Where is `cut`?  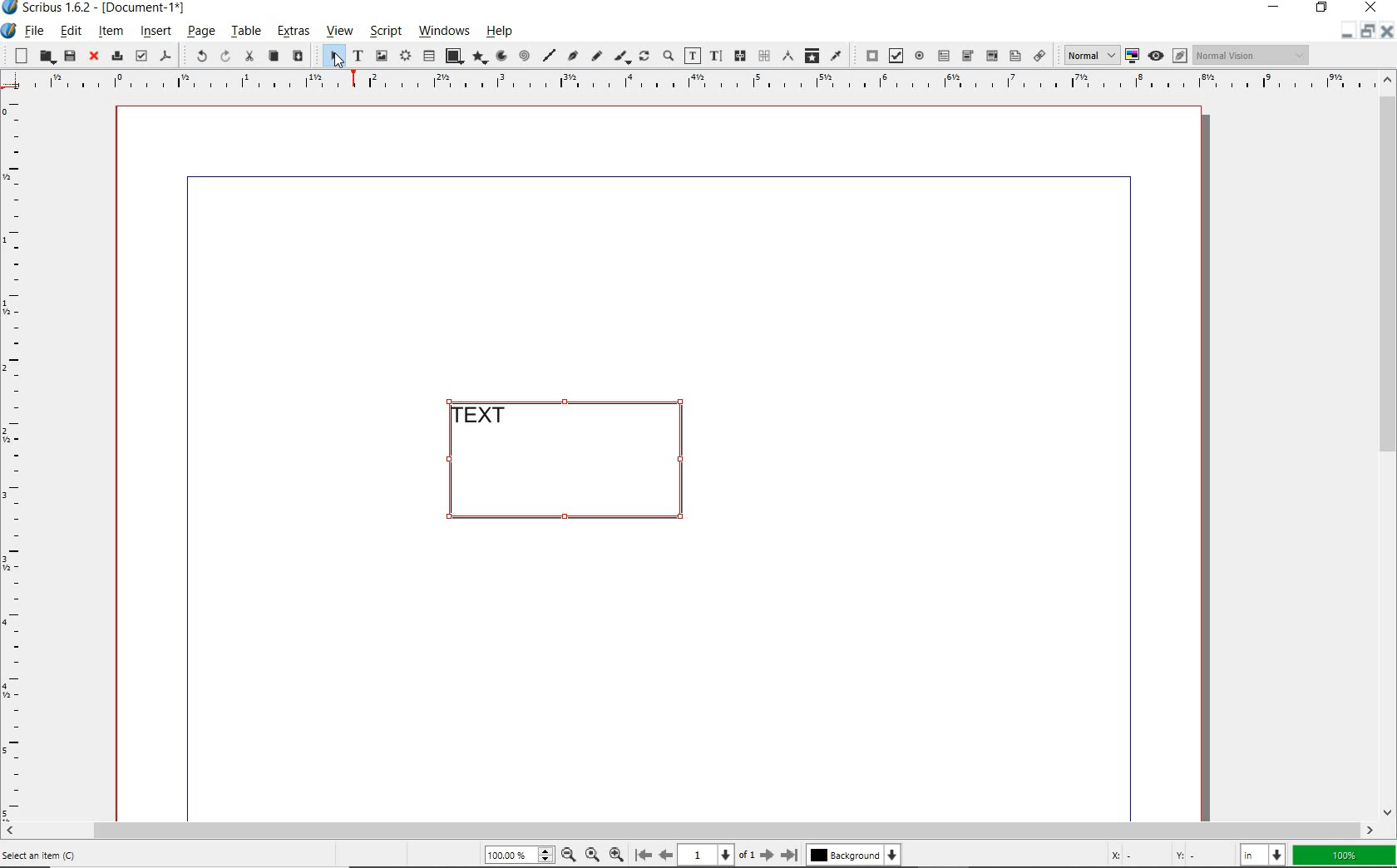 cut is located at coordinates (249, 56).